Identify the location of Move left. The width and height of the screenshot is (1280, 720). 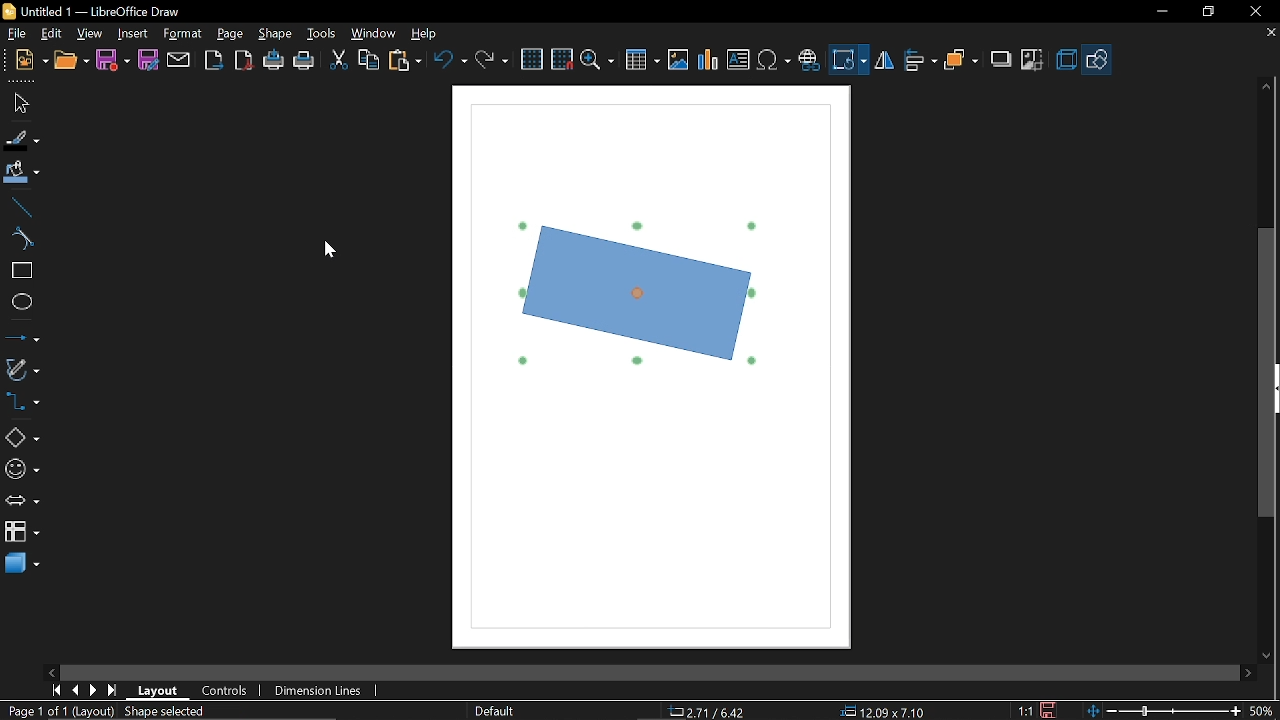
(51, 672).